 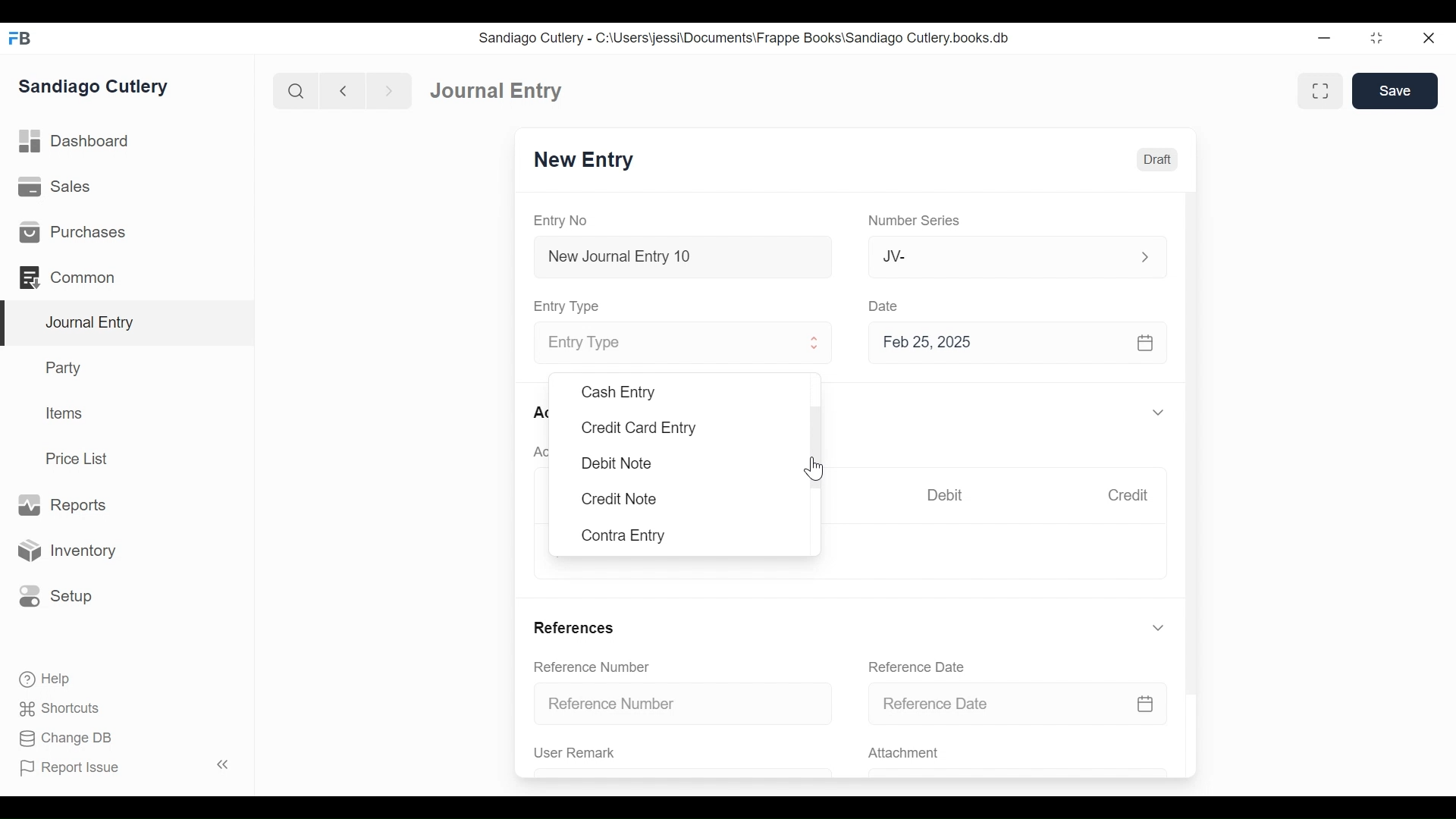 What do you see at coordinates (814, 439) in the screenshot?
I see `Vertical Scroll bar` at bounding box center [814, 439].